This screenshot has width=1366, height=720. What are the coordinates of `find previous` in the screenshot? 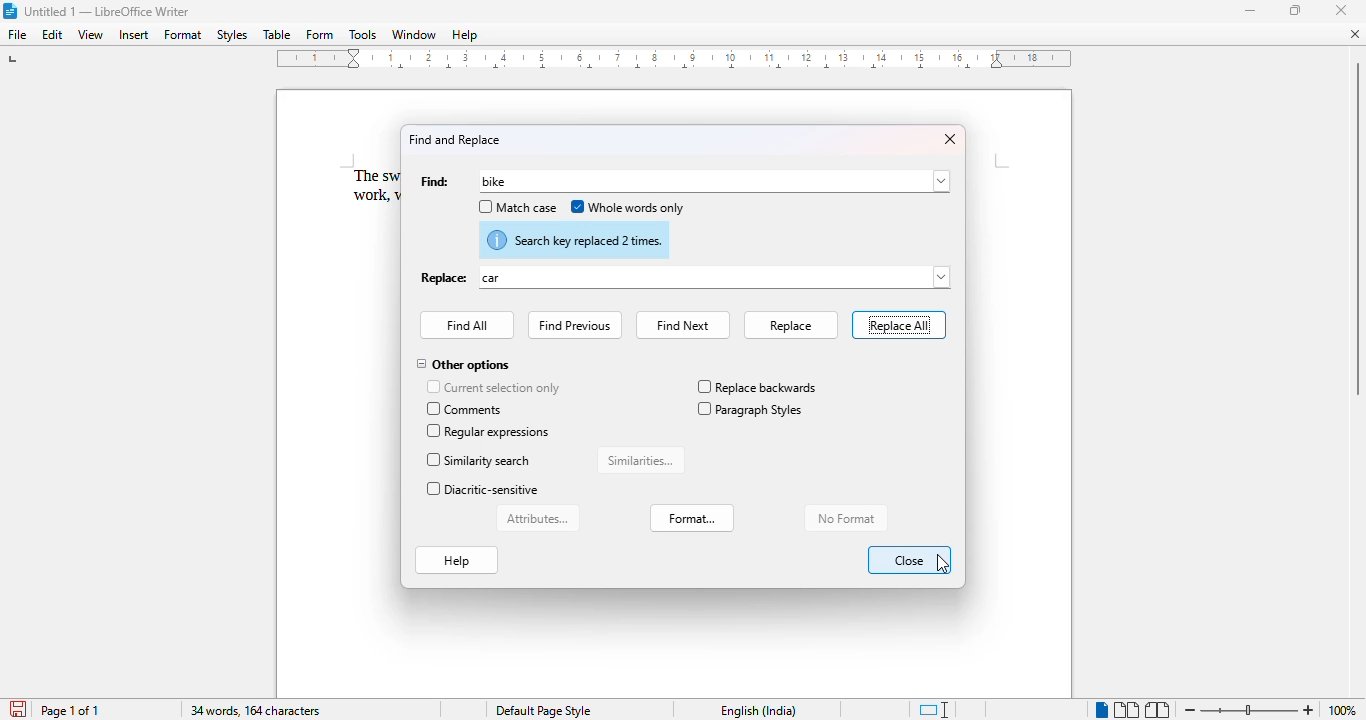 It's located at (575, 326).